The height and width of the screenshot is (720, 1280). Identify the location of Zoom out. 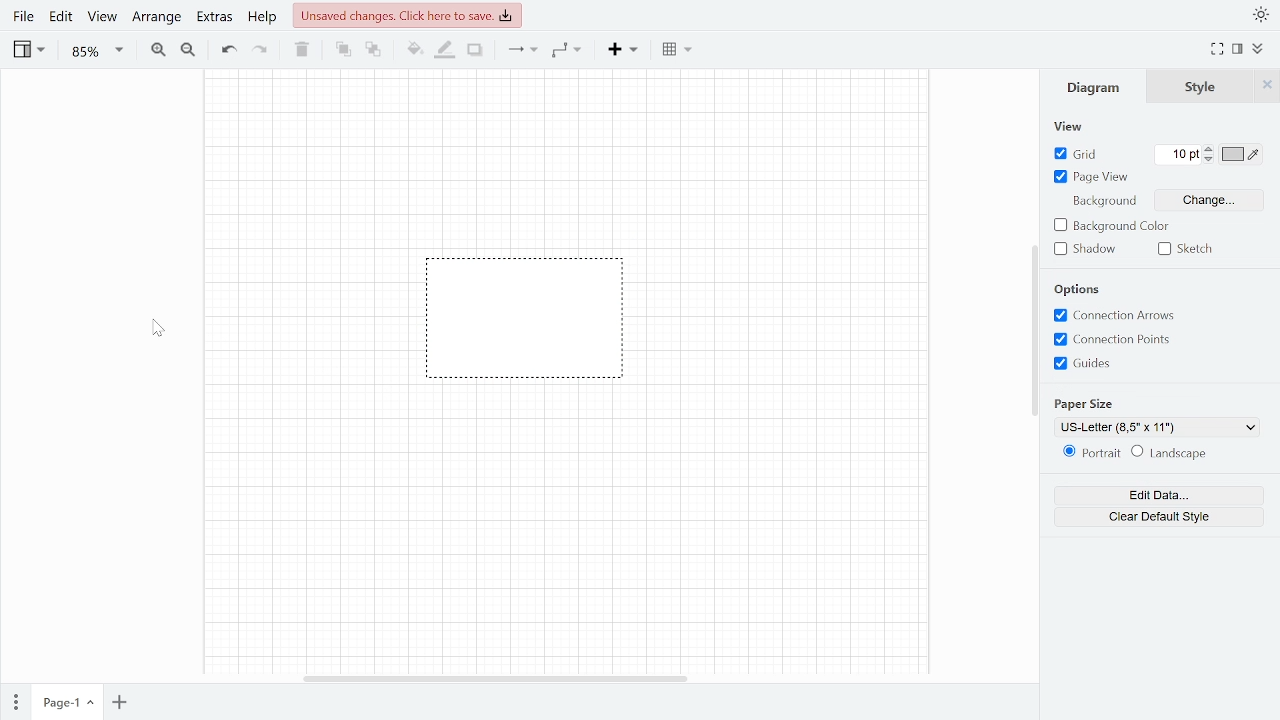
(186, 50).